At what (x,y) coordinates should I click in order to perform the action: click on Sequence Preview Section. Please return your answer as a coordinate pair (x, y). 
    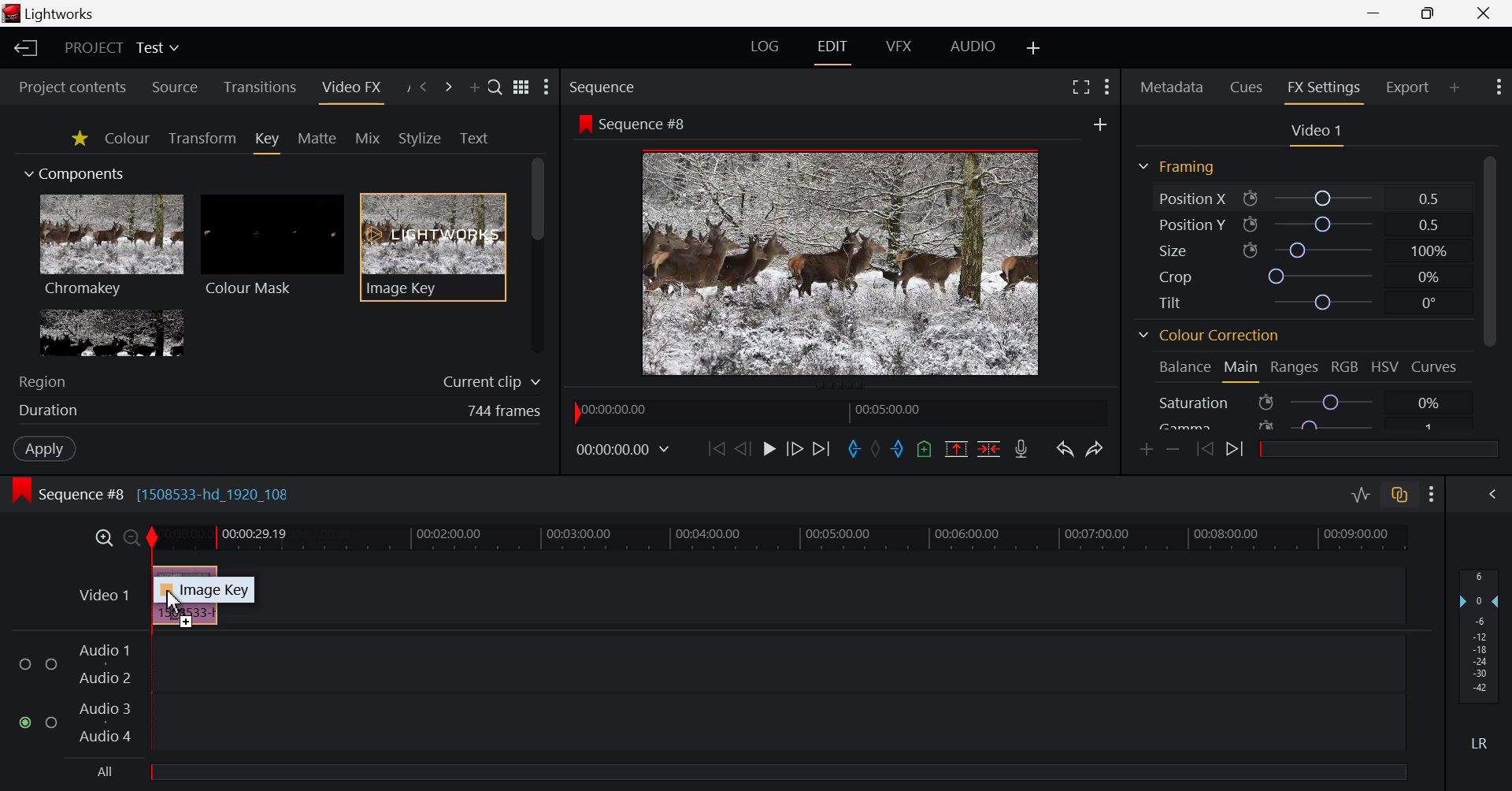
    Looking at the image, I should click on (609, 86).